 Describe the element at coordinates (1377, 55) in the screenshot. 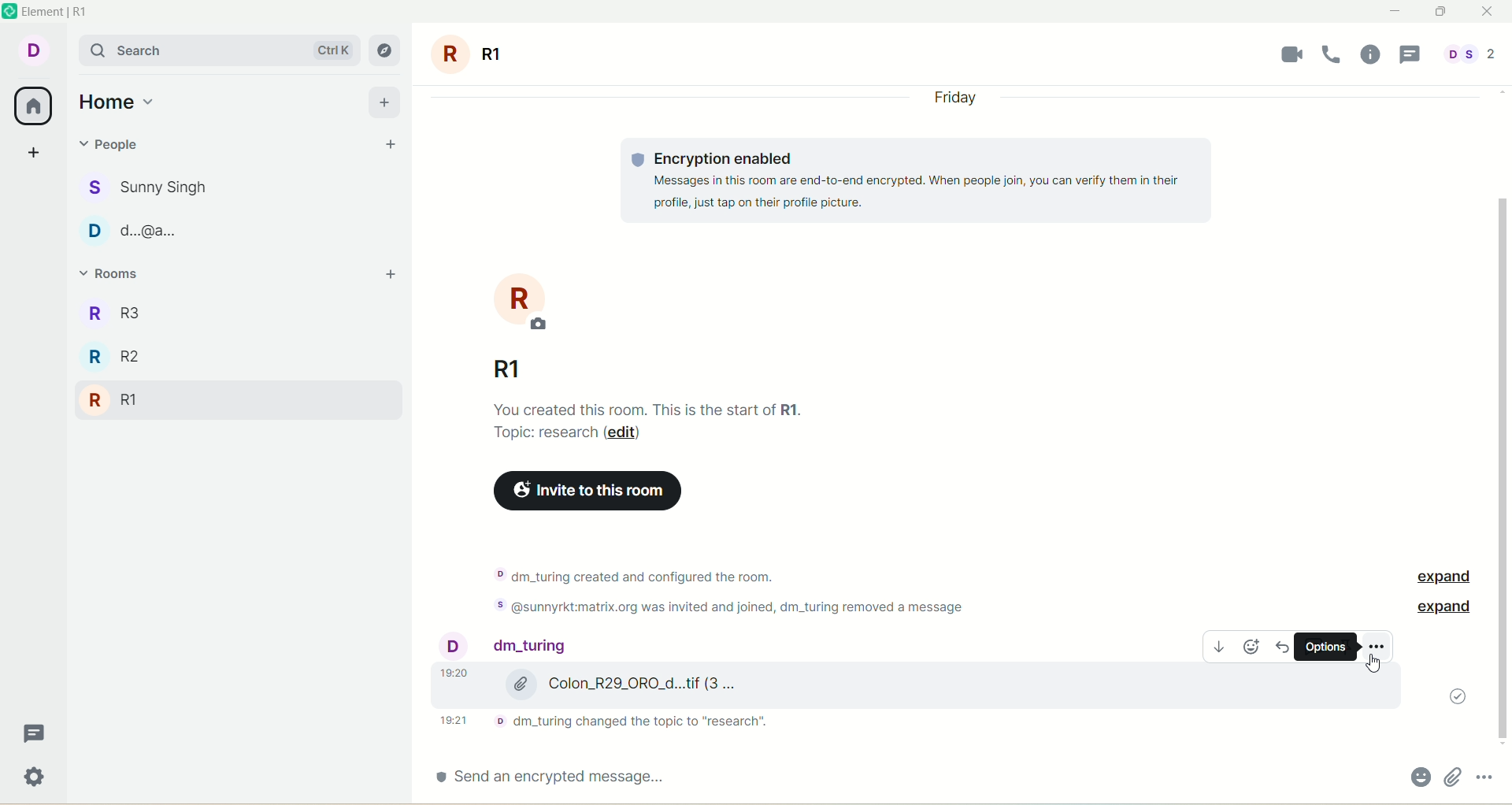

I see `room info` at that location.